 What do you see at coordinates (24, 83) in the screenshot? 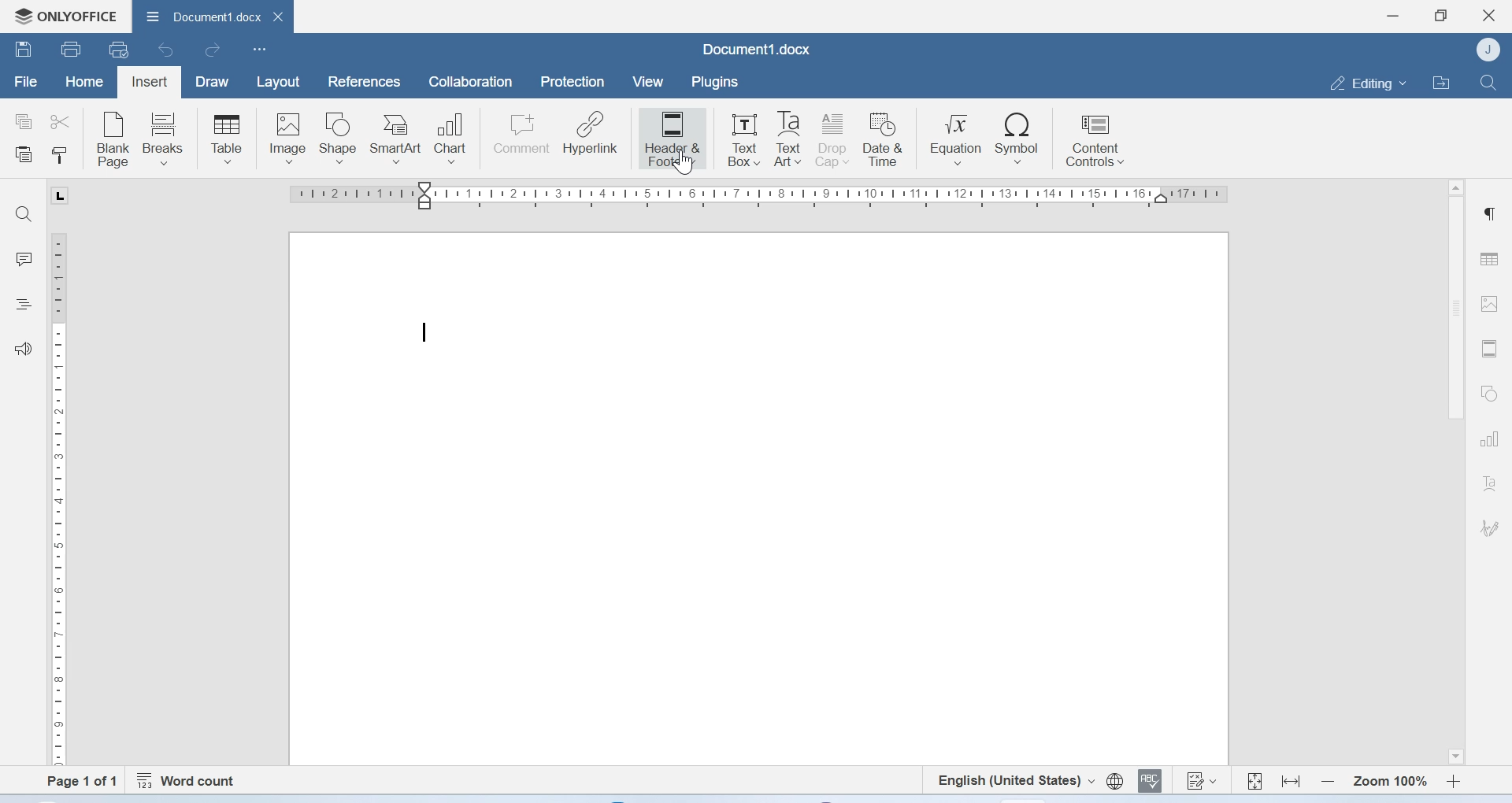
I see `File` at bounding box center [24, 83].